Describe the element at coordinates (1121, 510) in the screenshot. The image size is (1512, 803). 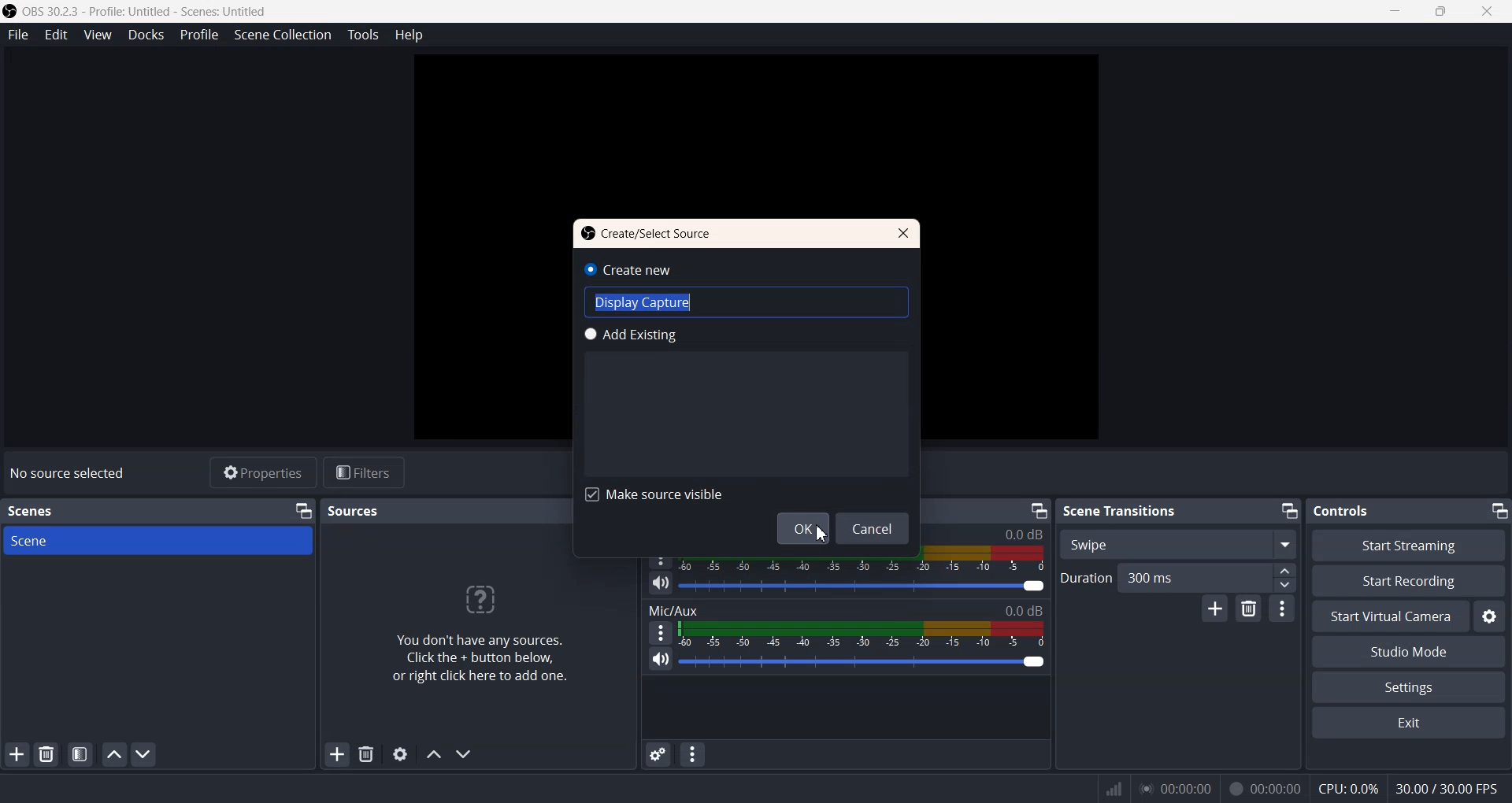
I see `Scene Transitions` at that location.